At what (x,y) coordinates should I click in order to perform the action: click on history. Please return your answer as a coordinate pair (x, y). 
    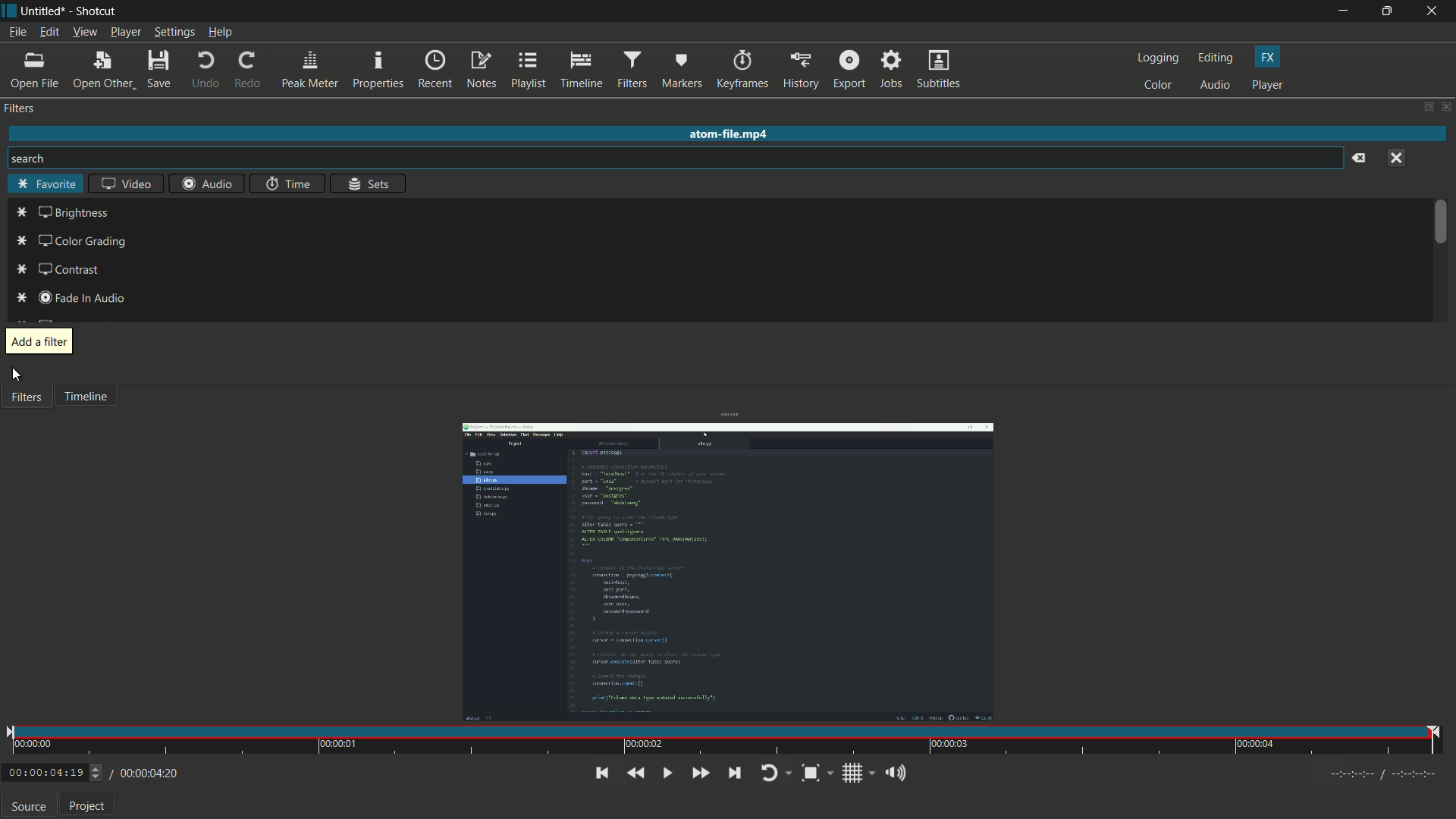
    Looking at the image, I should click on (800, 71).